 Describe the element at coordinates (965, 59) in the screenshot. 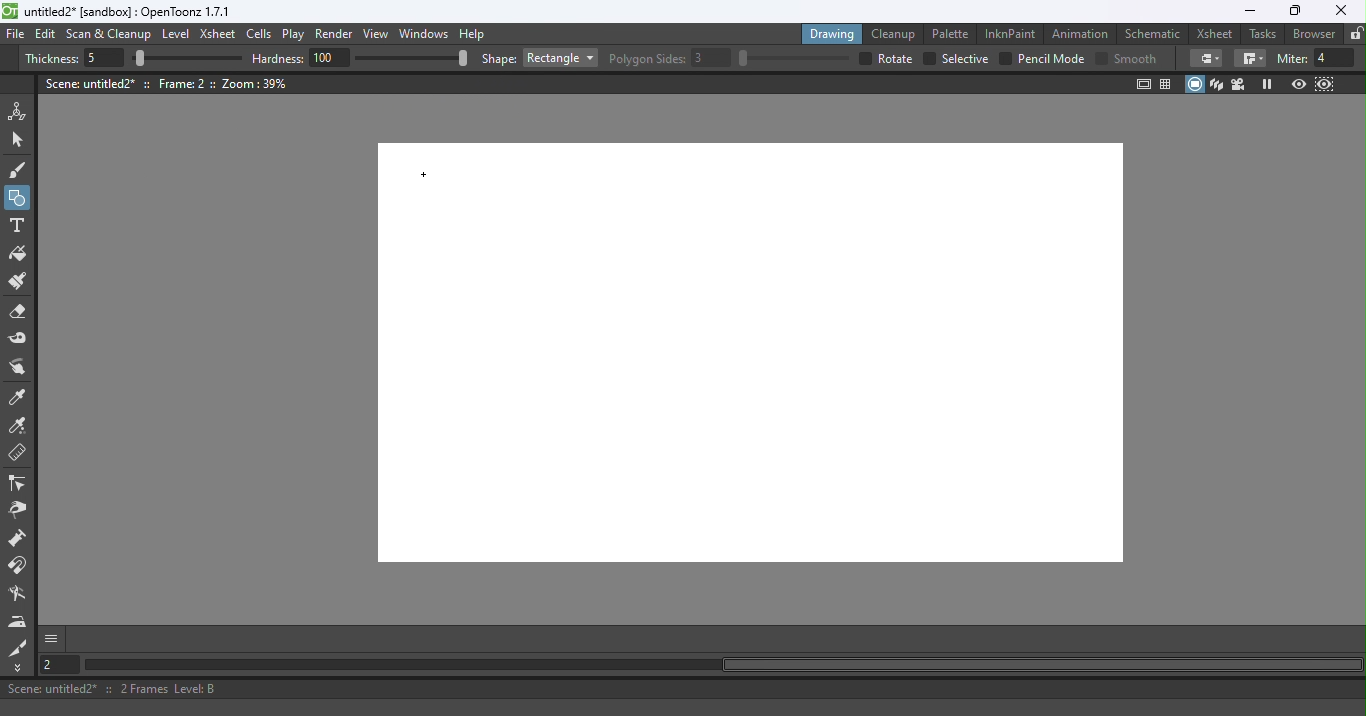

I see `selective` at that location.